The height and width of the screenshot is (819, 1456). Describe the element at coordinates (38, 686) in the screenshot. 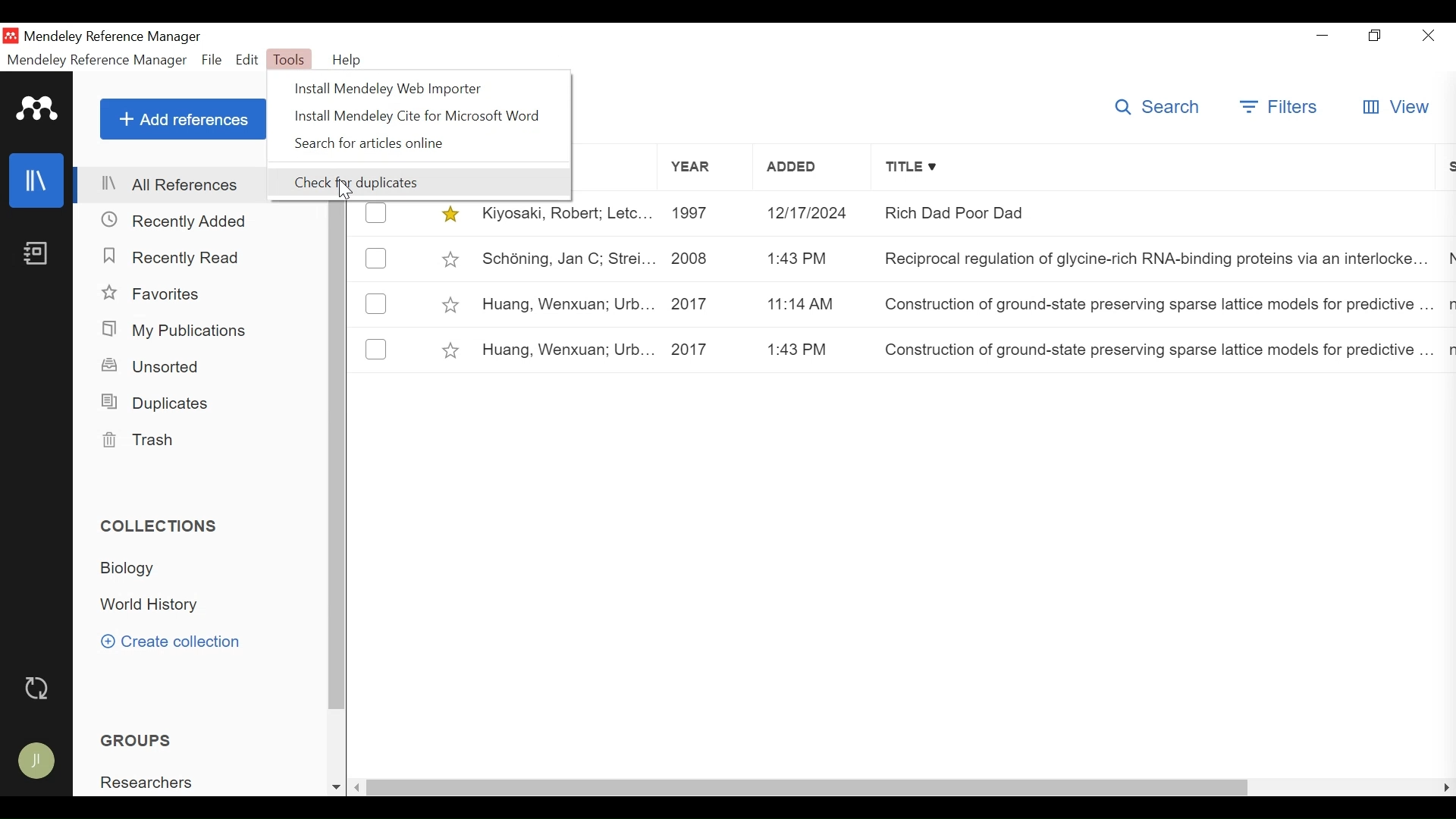

I see `Sync` at that location.